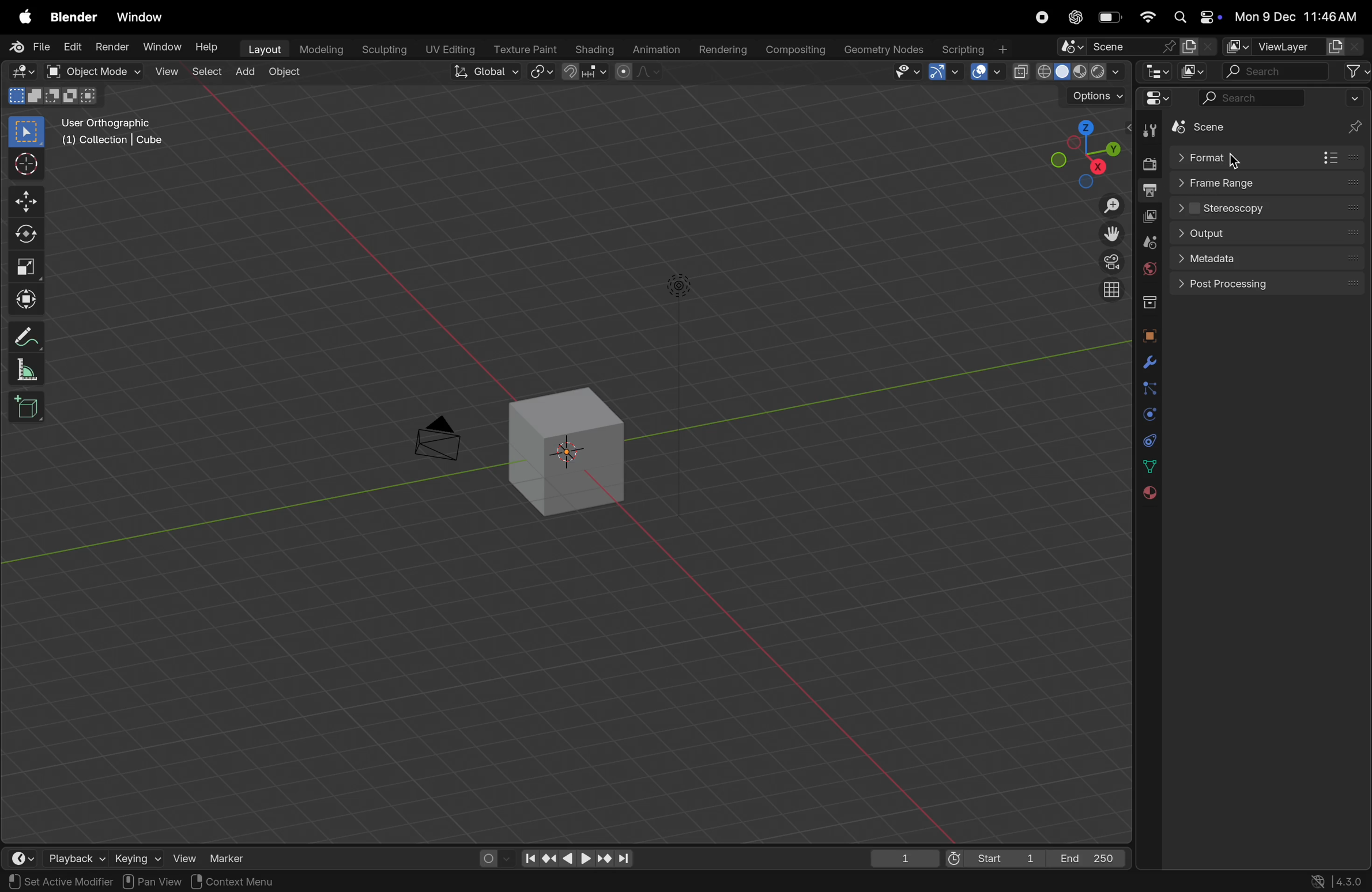 Image resolution: width=1372 pixels, height=892 pixels. What do you see at coordinates (1149, 271) in the screenshot?
I see `world` at bounding box center [1149, 271].